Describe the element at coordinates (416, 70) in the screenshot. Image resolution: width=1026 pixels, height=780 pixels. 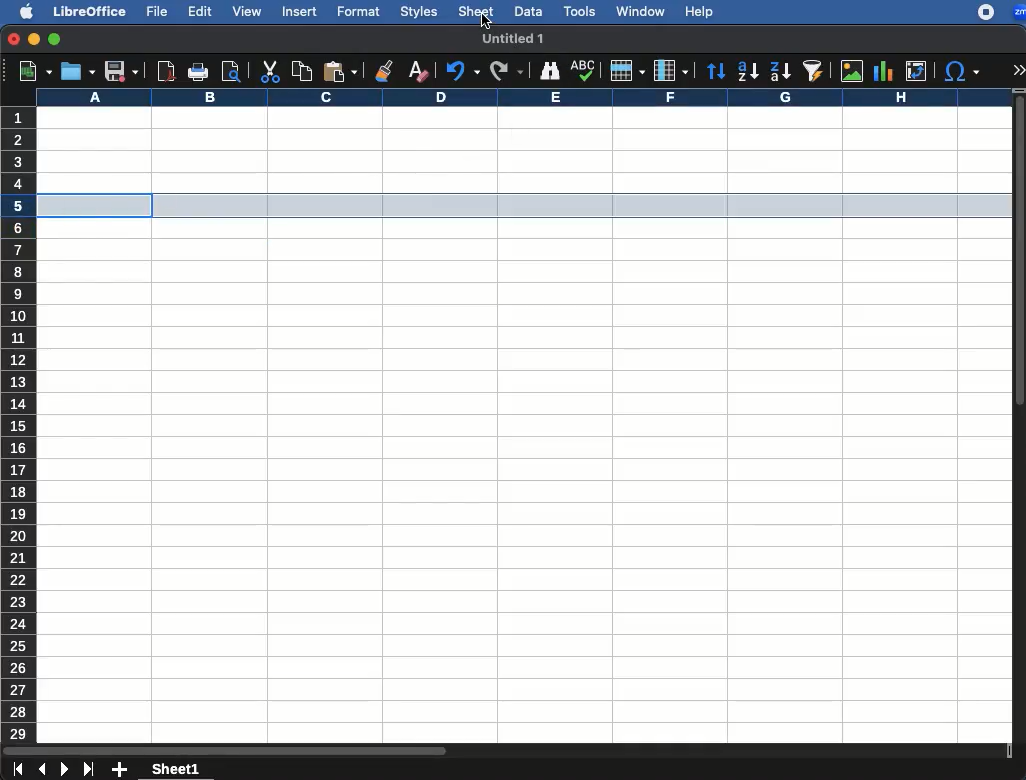
I see `clear formatting` at that location.